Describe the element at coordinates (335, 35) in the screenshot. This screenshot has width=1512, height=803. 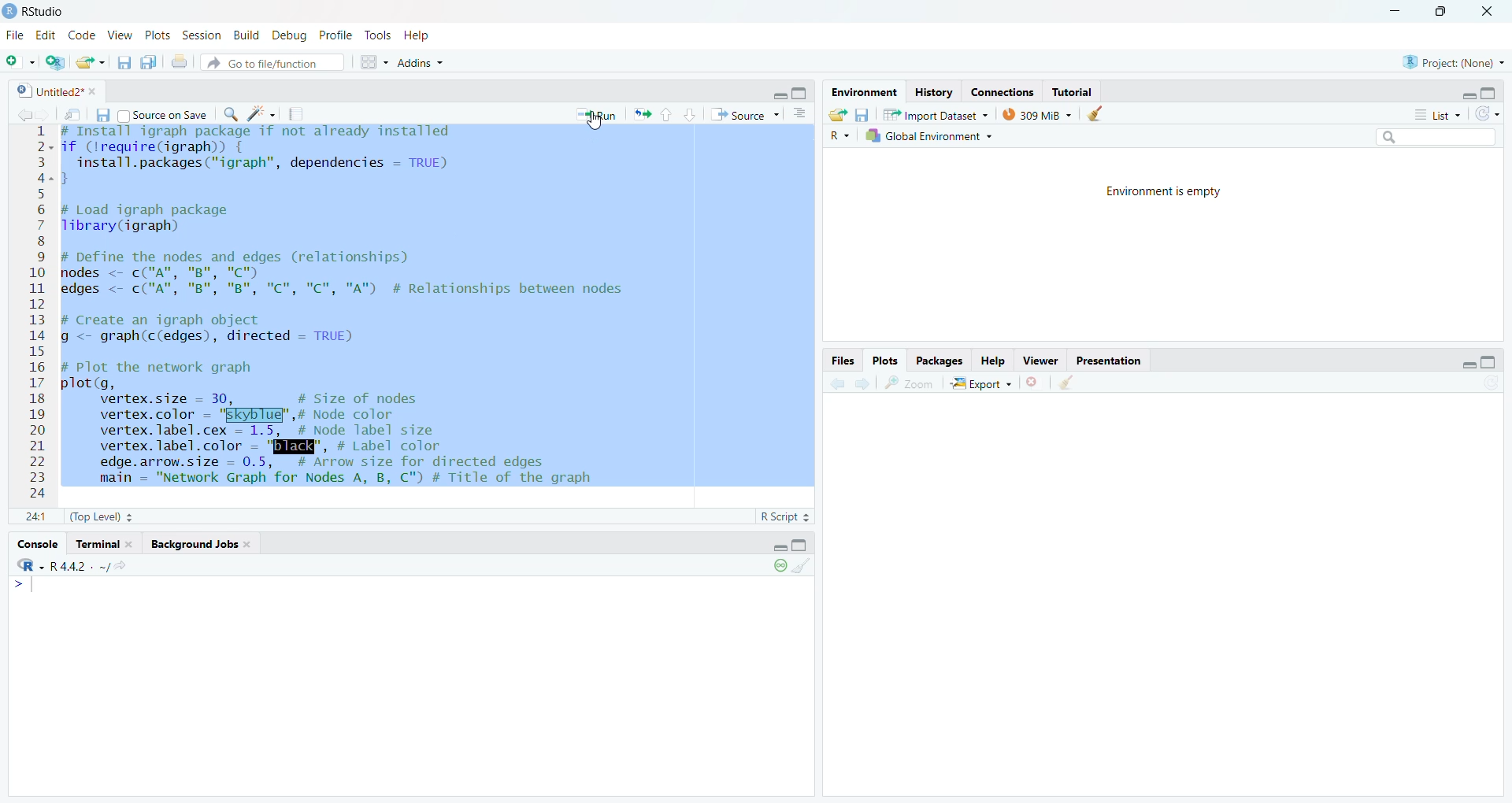
I see `Profile` at that location.